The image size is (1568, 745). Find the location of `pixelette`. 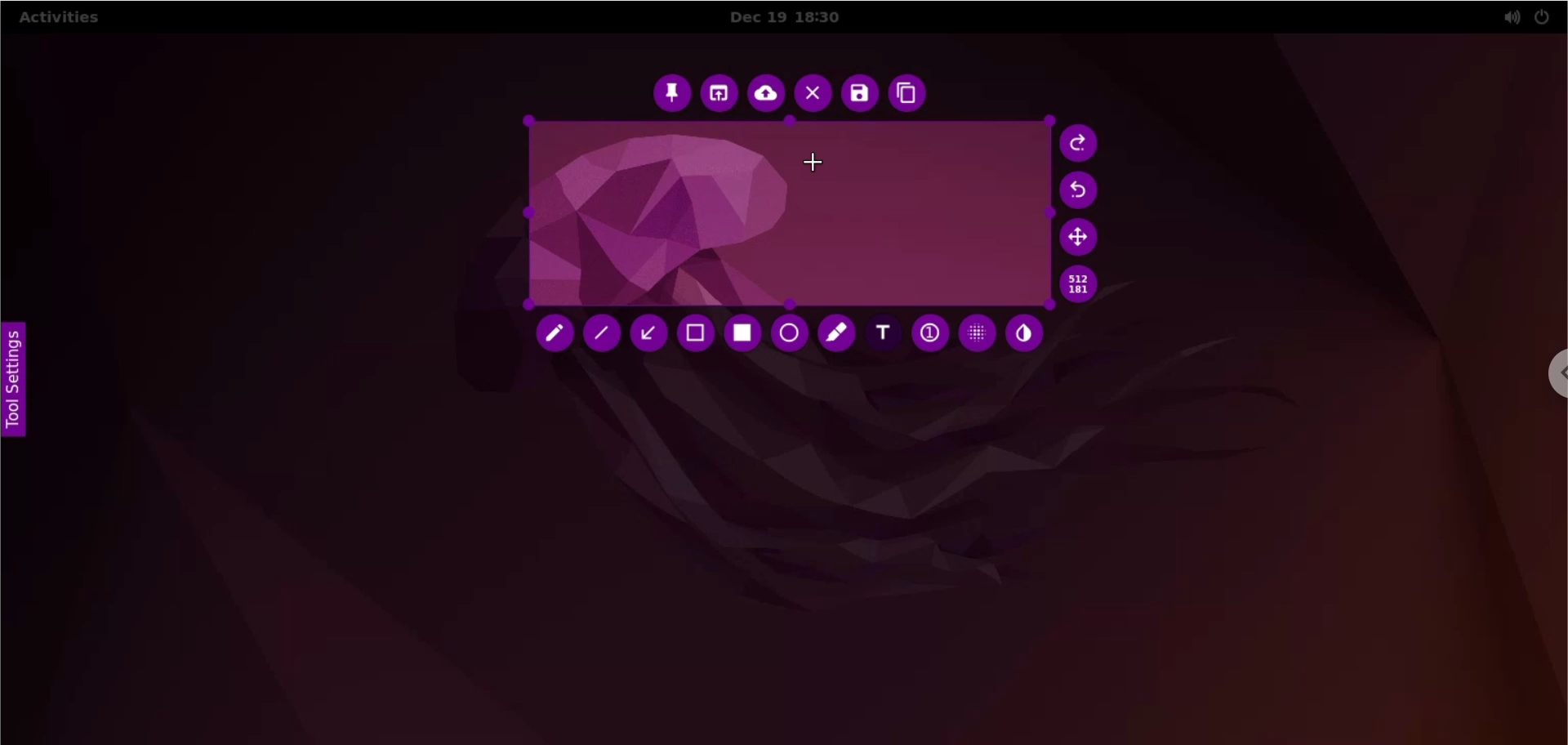

pixelette is located at coordinates (977, 329).